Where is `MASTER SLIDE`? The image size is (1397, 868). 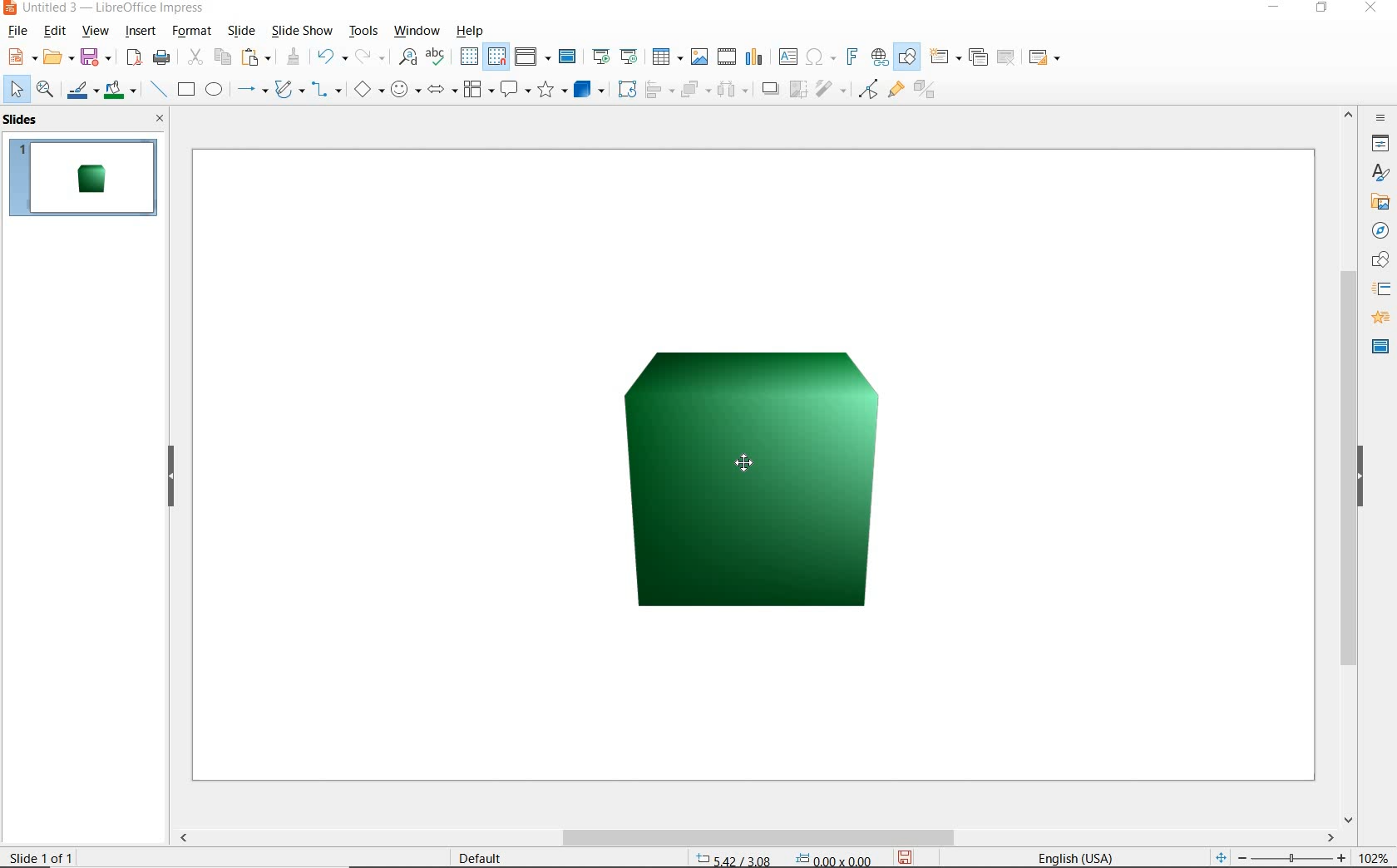 MASTER SLIDE is located at coordinates (1378, 348).